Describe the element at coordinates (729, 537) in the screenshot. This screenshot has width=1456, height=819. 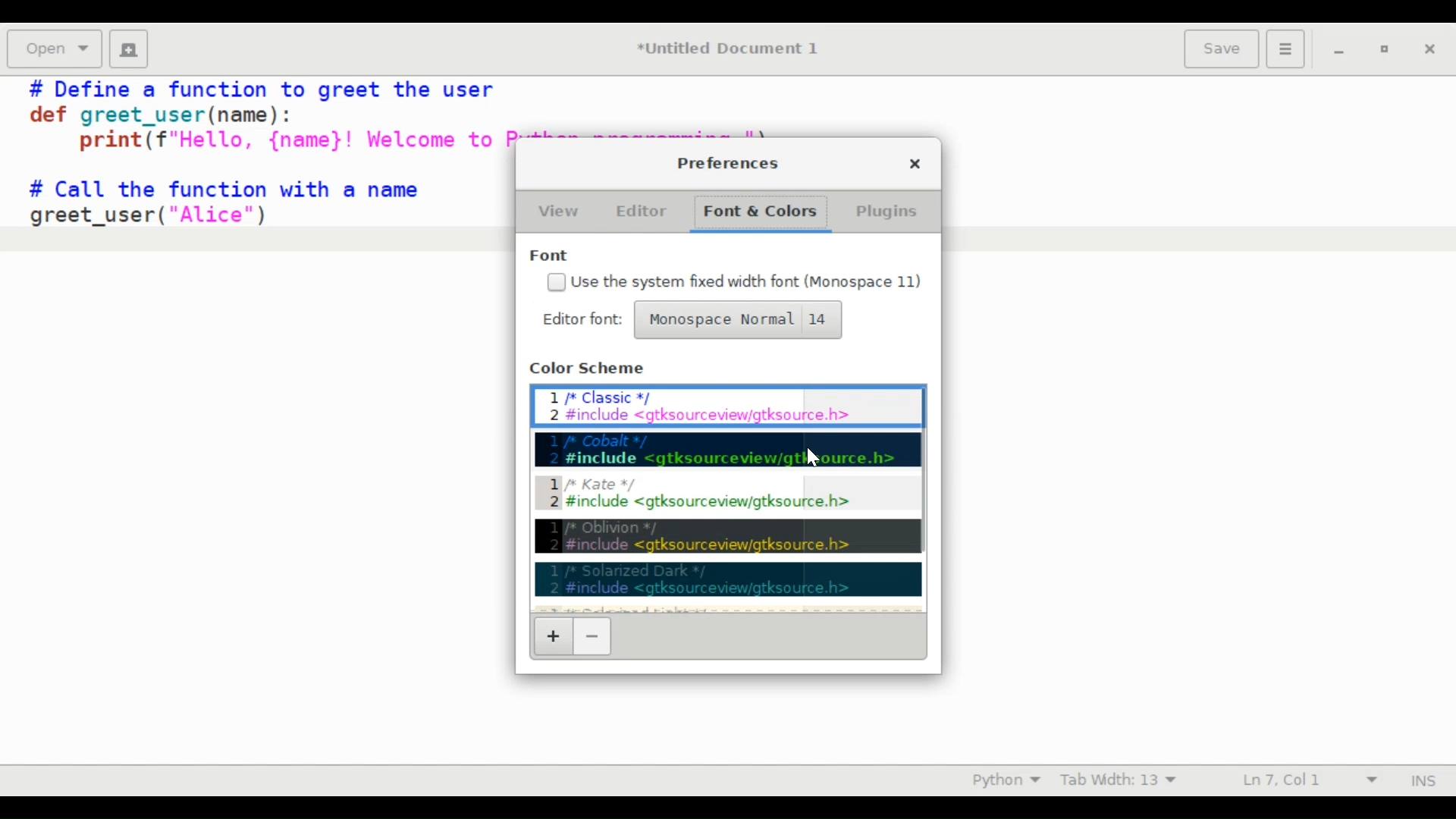
I see `Oblivion` at that location.